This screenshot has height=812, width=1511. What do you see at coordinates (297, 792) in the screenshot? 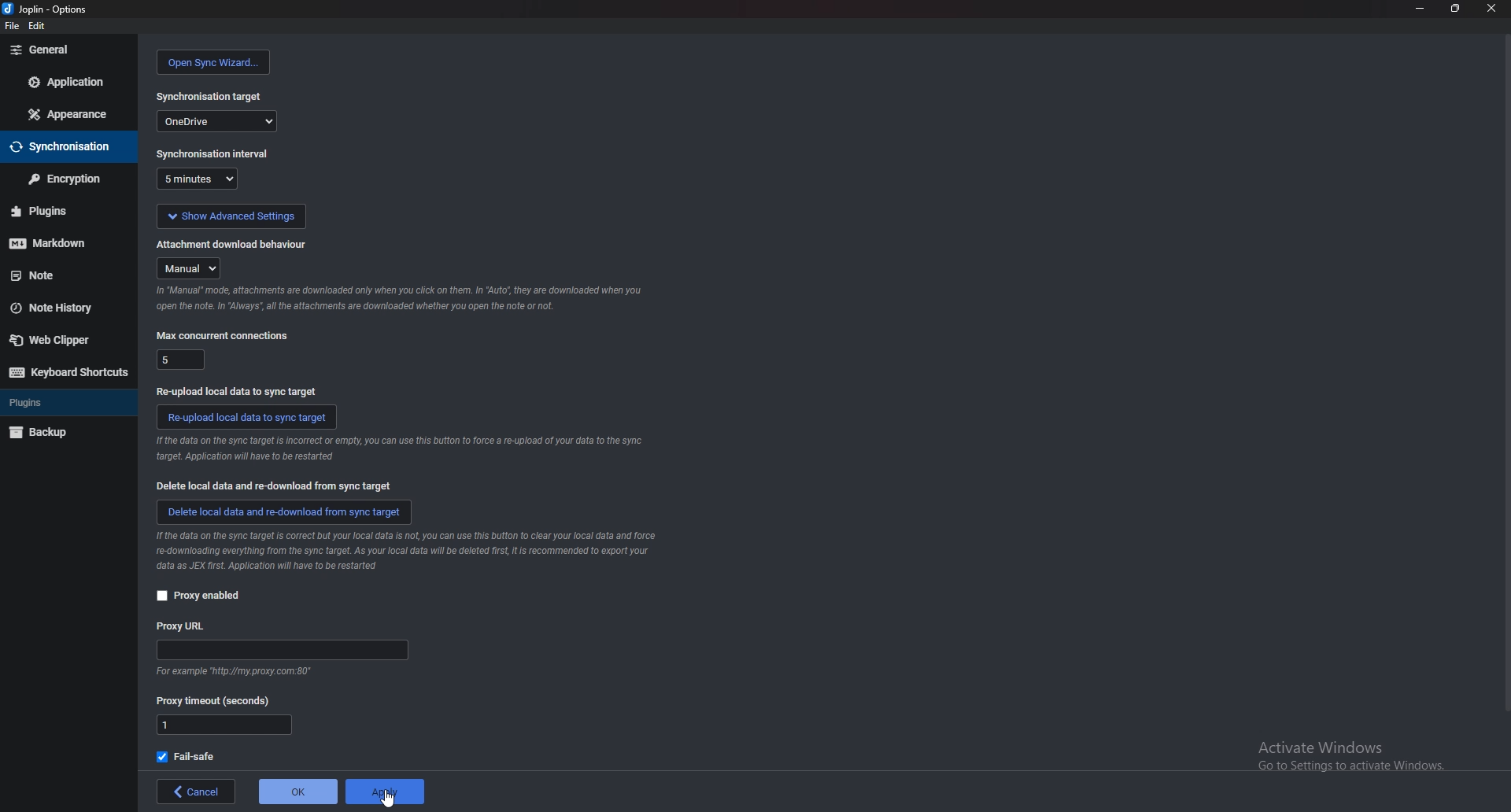
I see `ok` at bounding box center [297, 792].